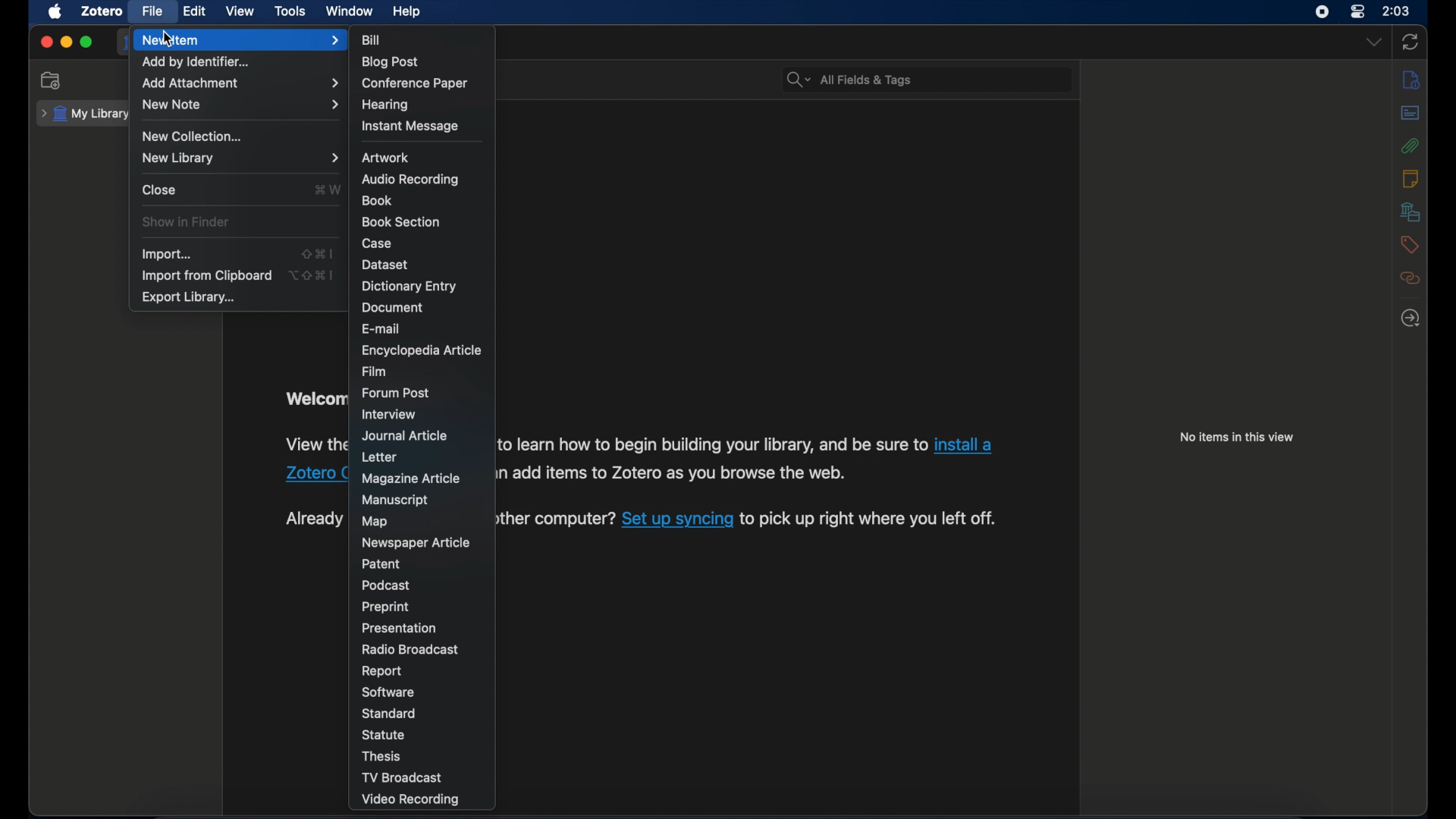 The width and height of the screenshot is (1456, 819). What do you see at coordinates (46, 42) in the screenshot?
I see `close` at bounding box center [46, 42].